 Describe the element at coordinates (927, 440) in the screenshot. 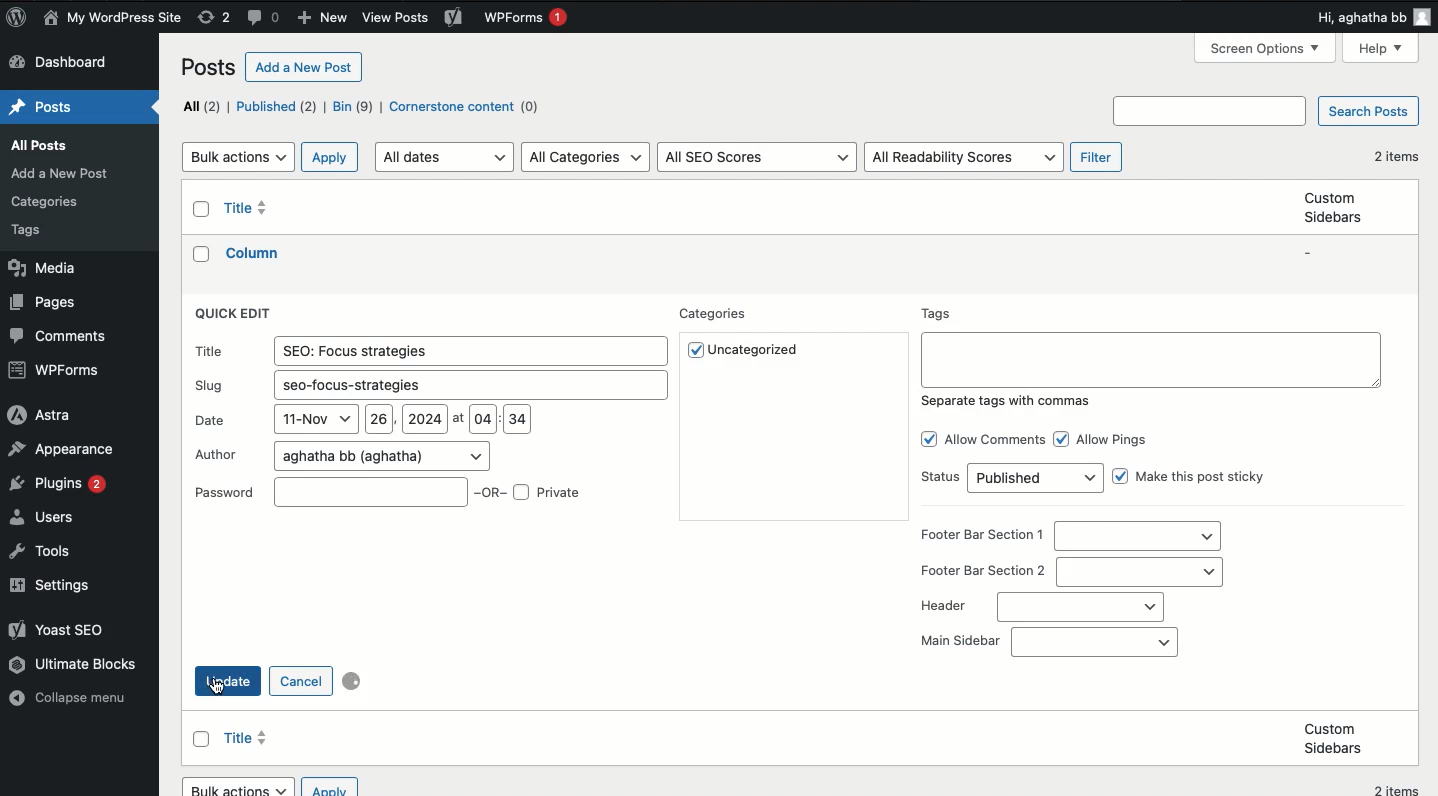

I see `Checkbox` at that location.